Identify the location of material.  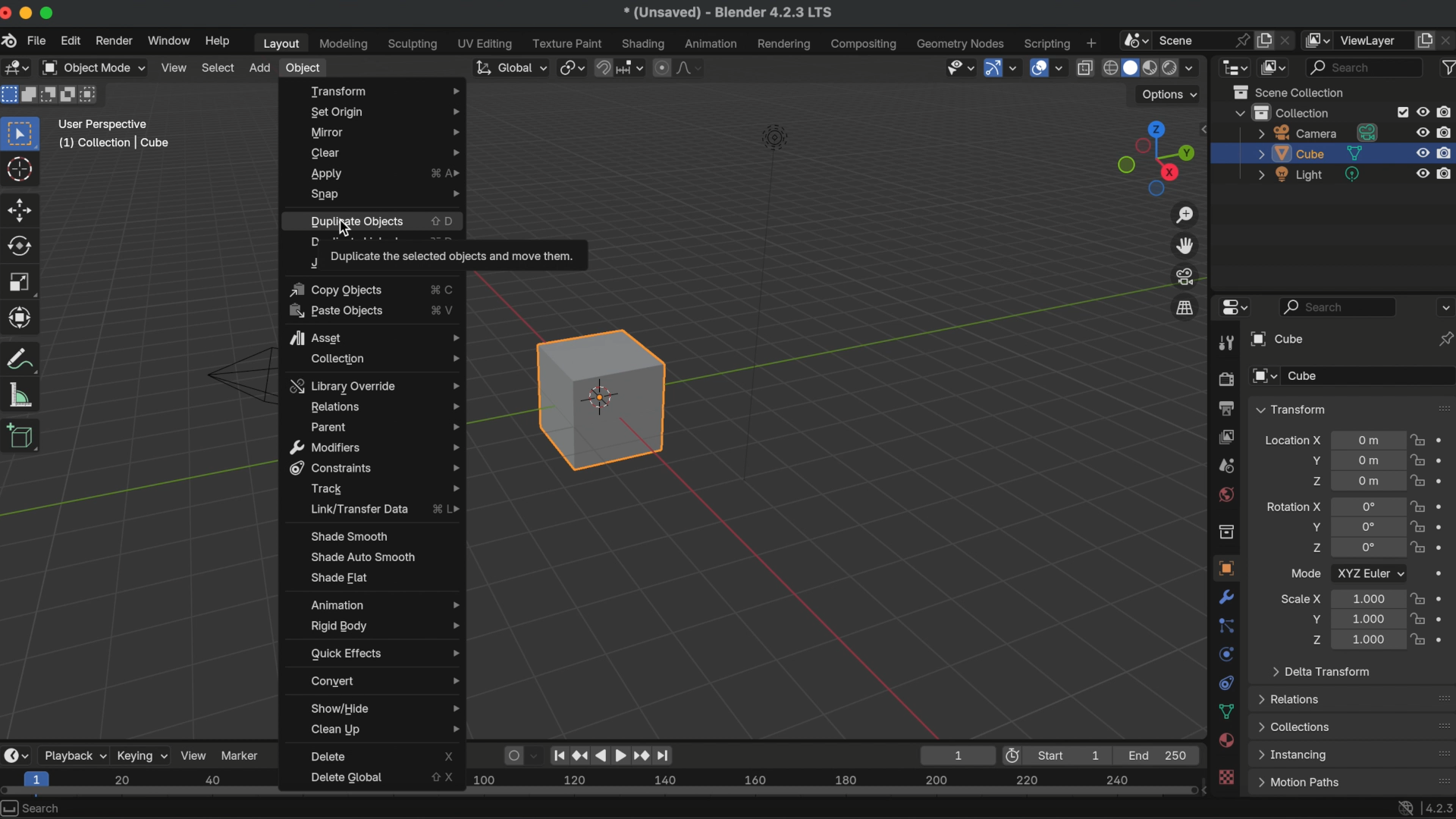
(1227, 742).